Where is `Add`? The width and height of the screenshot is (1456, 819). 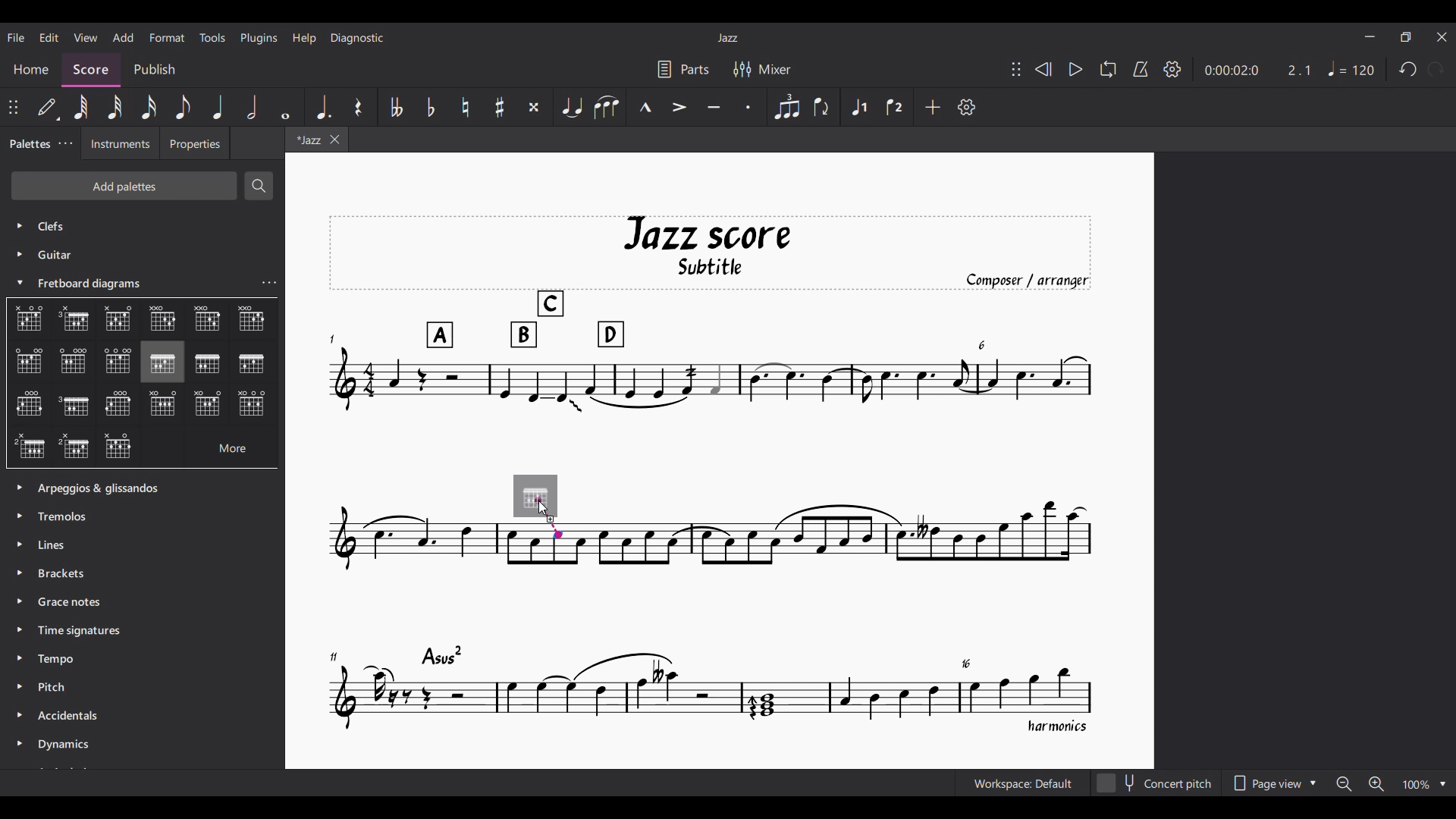
Add is located at coordinates (933, 107).